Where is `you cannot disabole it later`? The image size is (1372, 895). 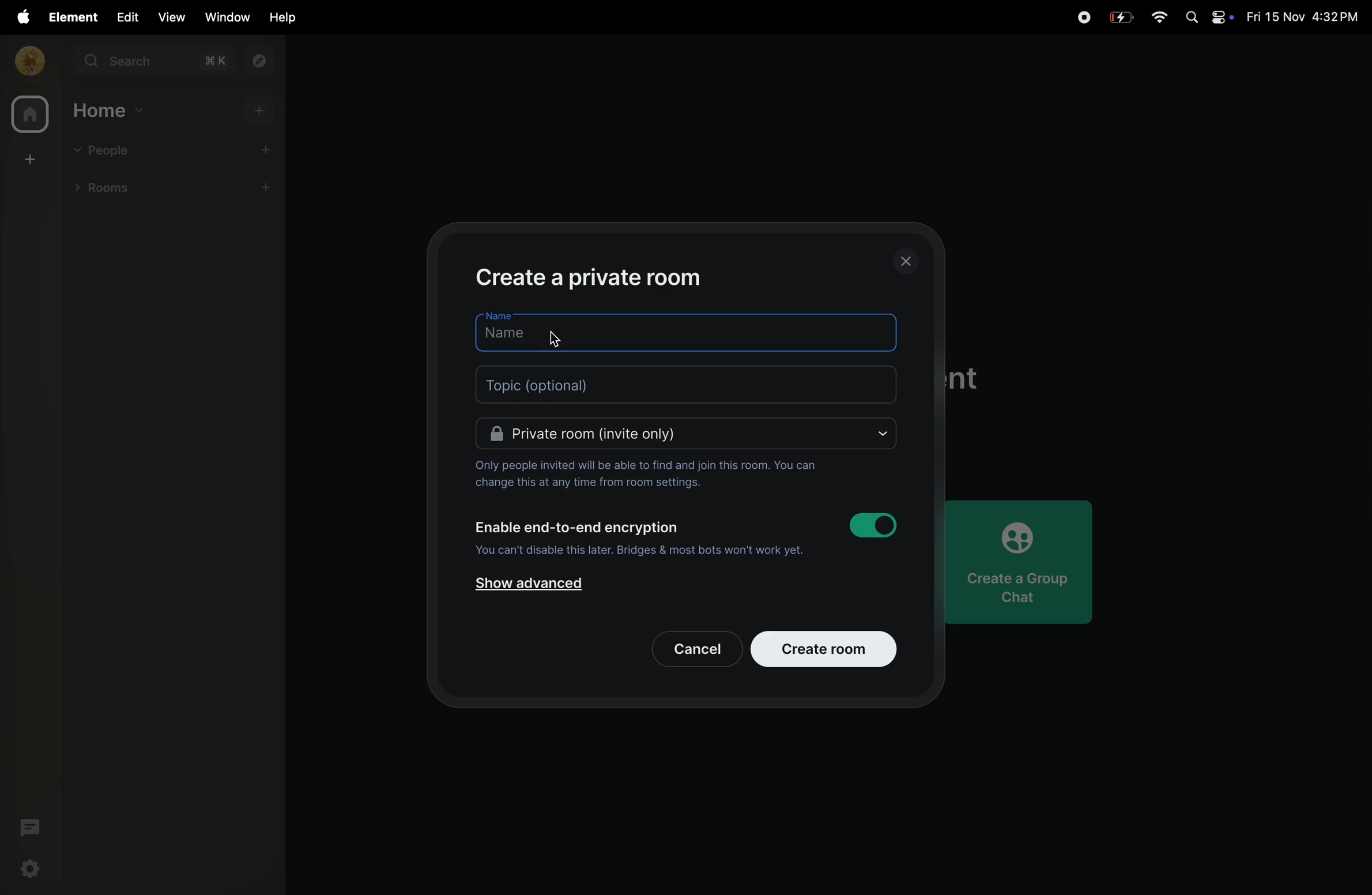
you cannot disabole it later is located at coordinates (638, 552).